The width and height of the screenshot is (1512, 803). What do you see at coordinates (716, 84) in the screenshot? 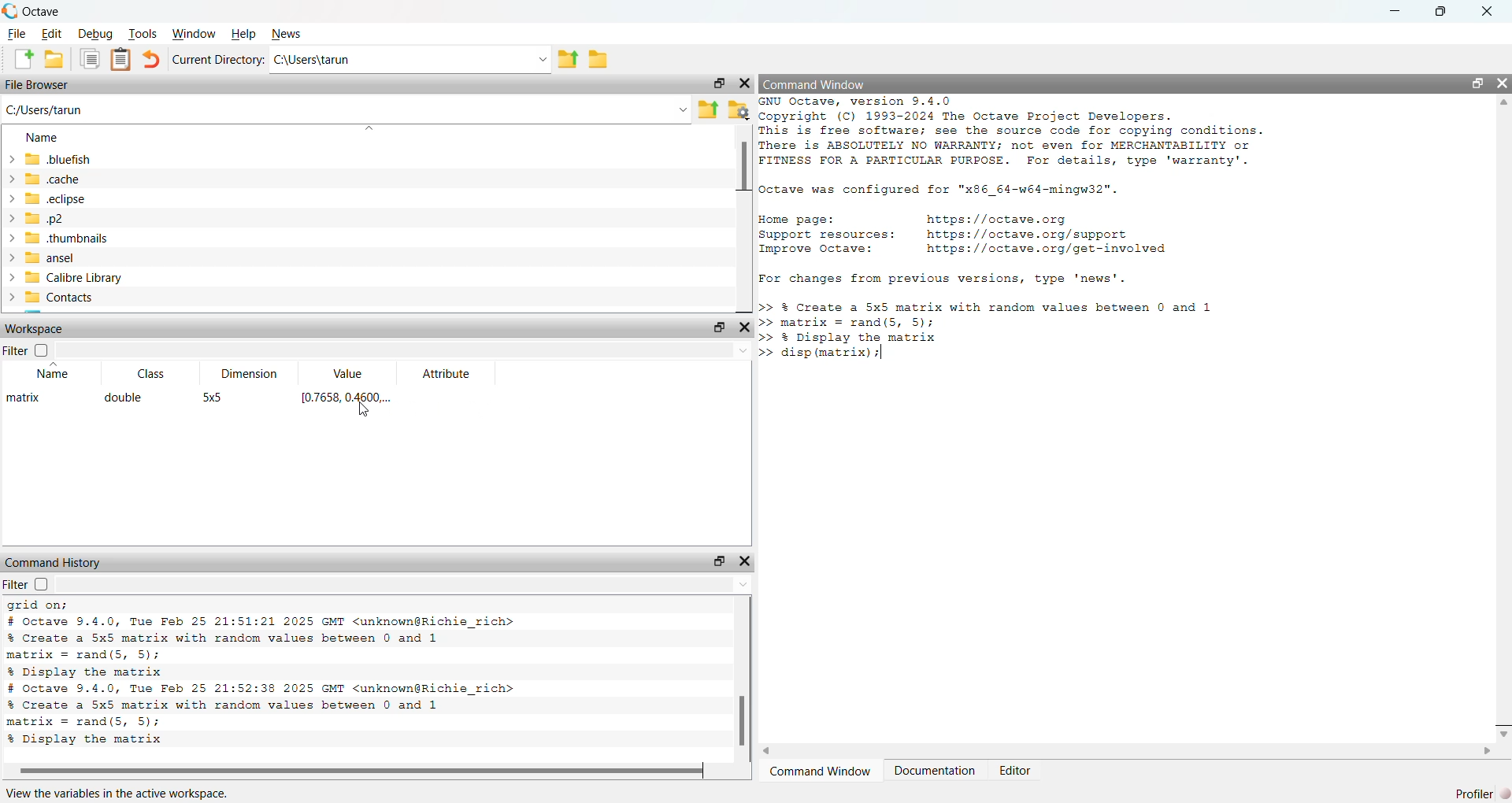
I see `maximise` at bounding box center [716, 84].